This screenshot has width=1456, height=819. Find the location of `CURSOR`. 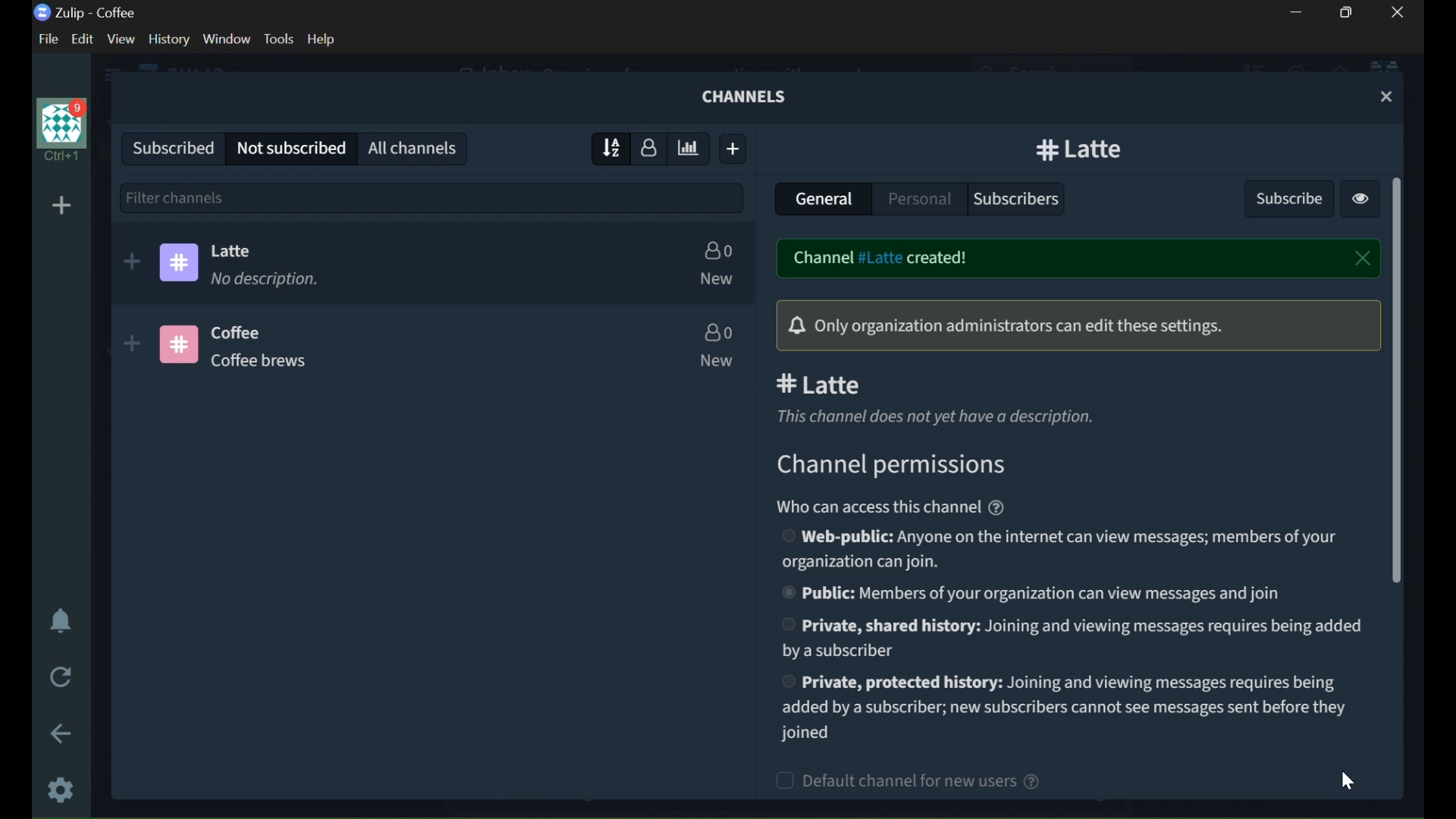

CURSOR is located at coordinates (1350, 781).